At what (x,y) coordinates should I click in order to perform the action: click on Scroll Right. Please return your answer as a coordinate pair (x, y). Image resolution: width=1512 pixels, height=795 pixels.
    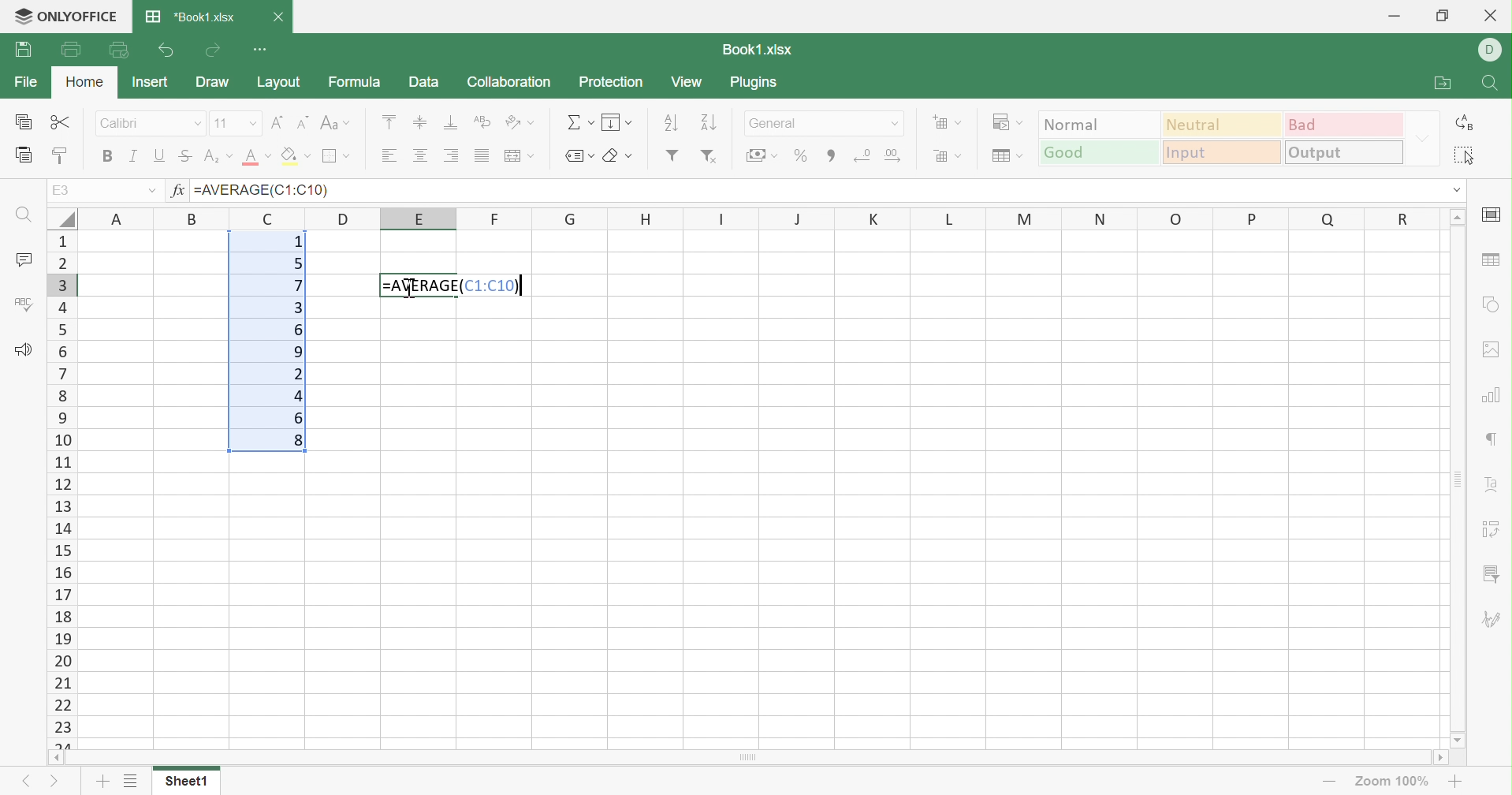
    Looking at the image, I should click on (1439, 757).